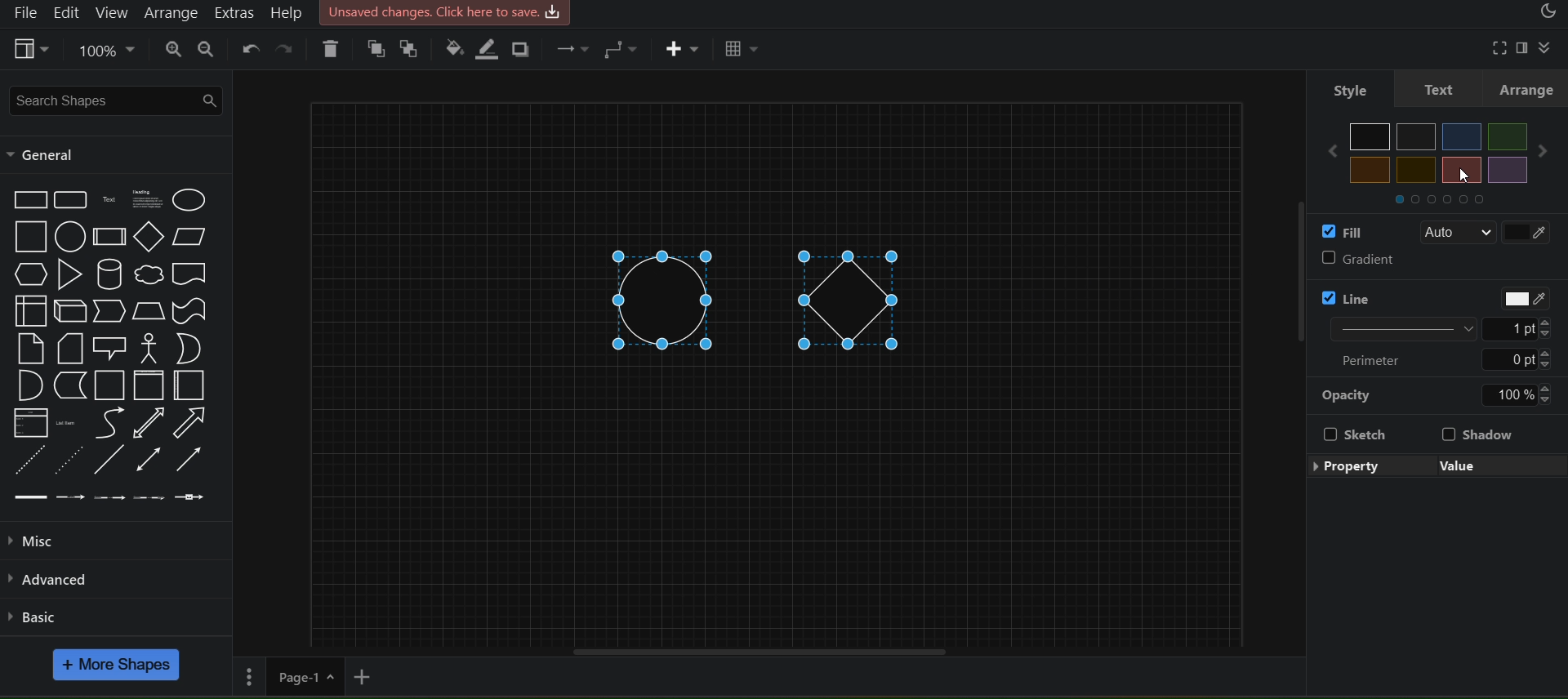 The height and width of the screenshot is (699, 1568). Describe the element at coordinates (67, 421) in the screenshot. I see `List Item` at that location.